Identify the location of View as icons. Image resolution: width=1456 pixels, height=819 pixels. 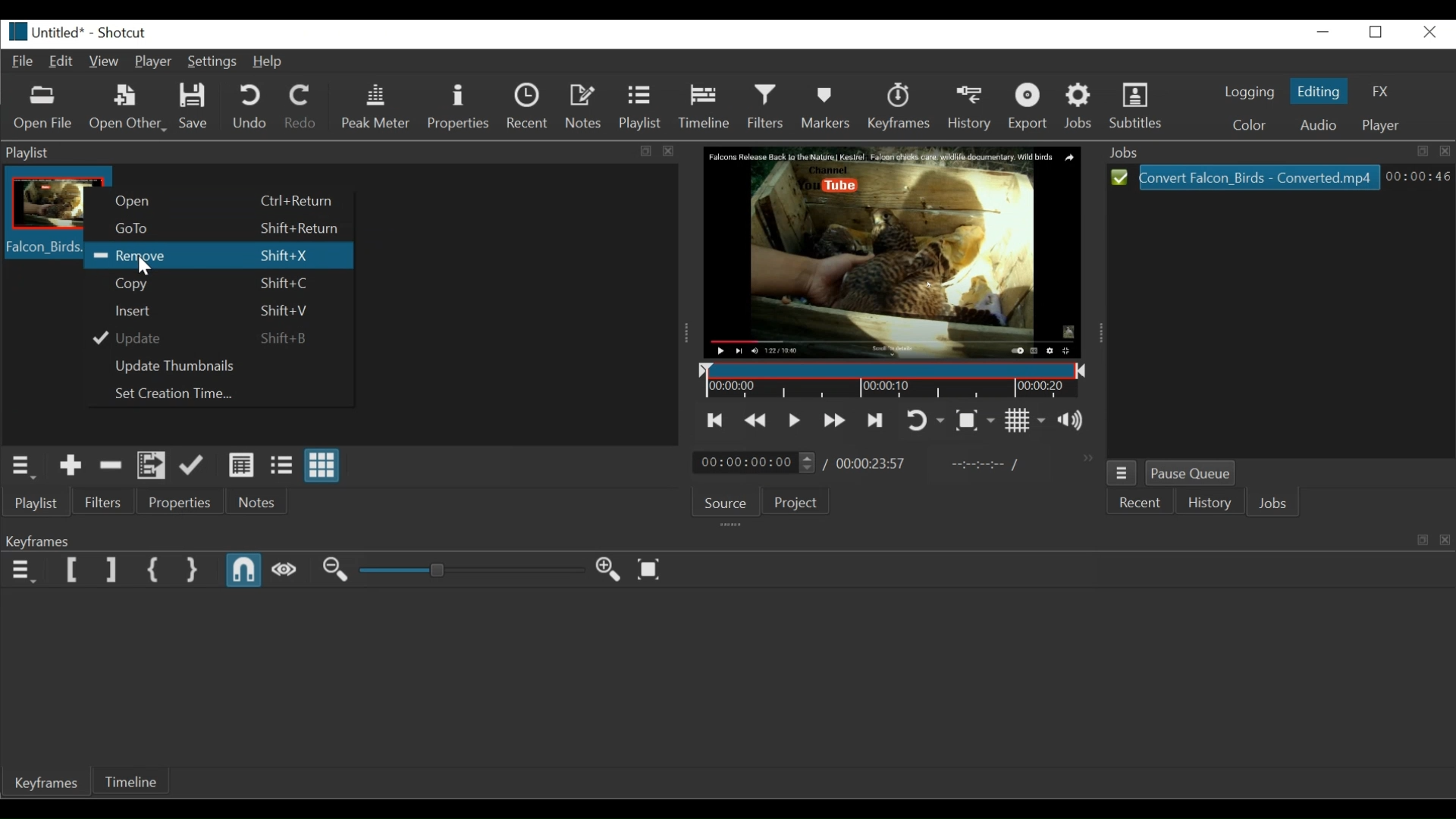
(321, 467).